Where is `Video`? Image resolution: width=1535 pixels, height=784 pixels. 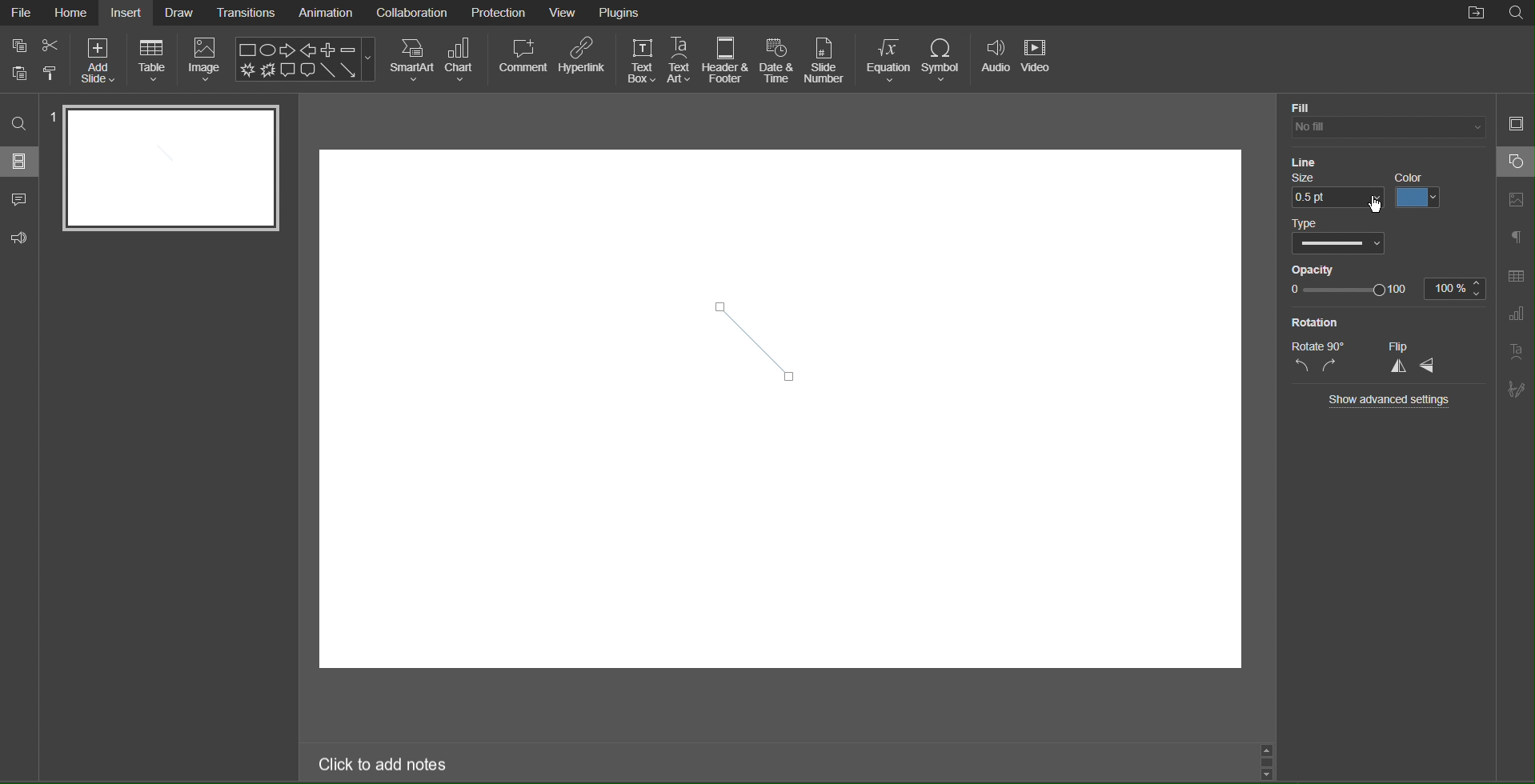 Video is located at coordinates (1041, 59).